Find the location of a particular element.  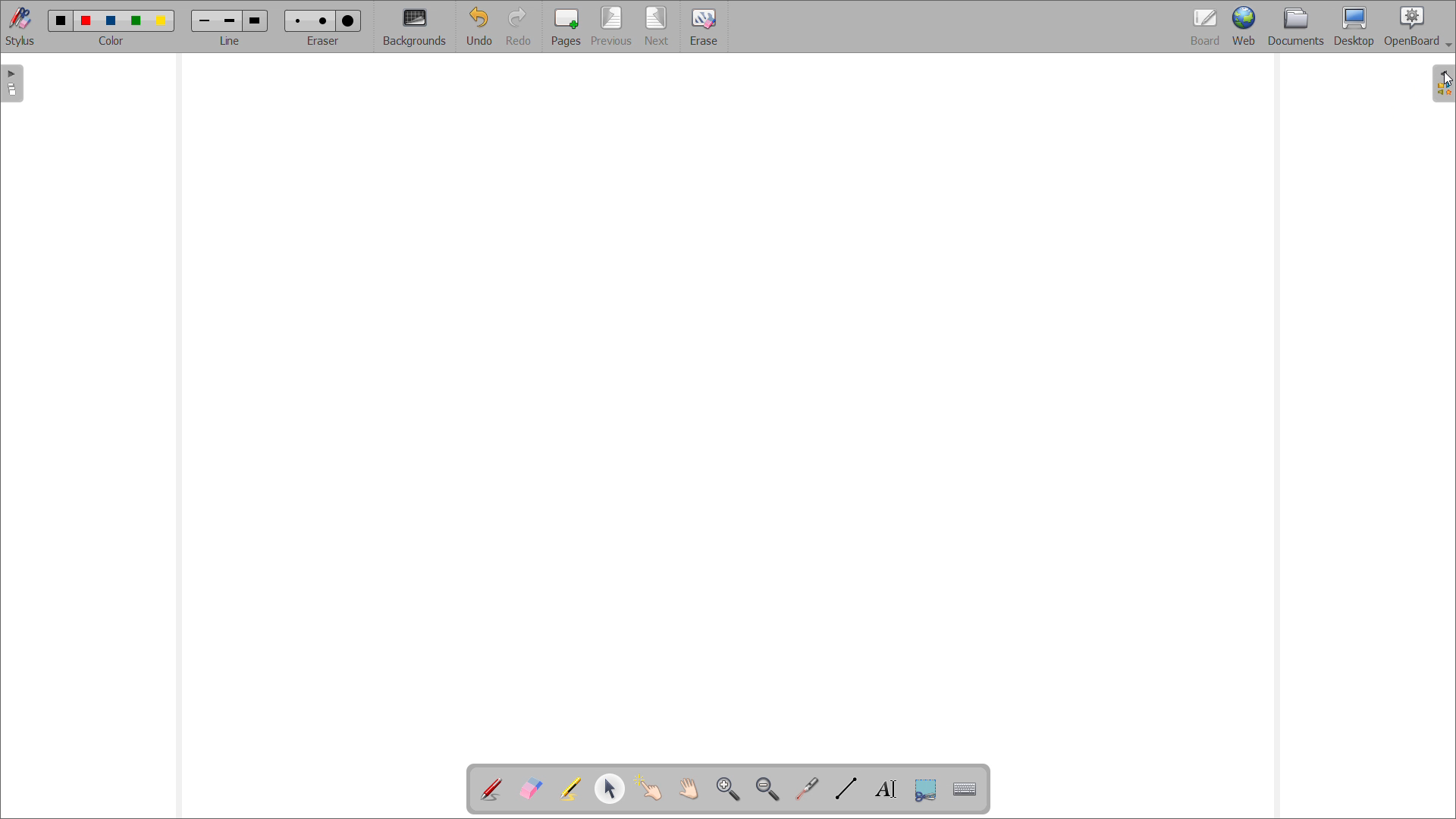

cursor is located at coordinates (1446, 80).